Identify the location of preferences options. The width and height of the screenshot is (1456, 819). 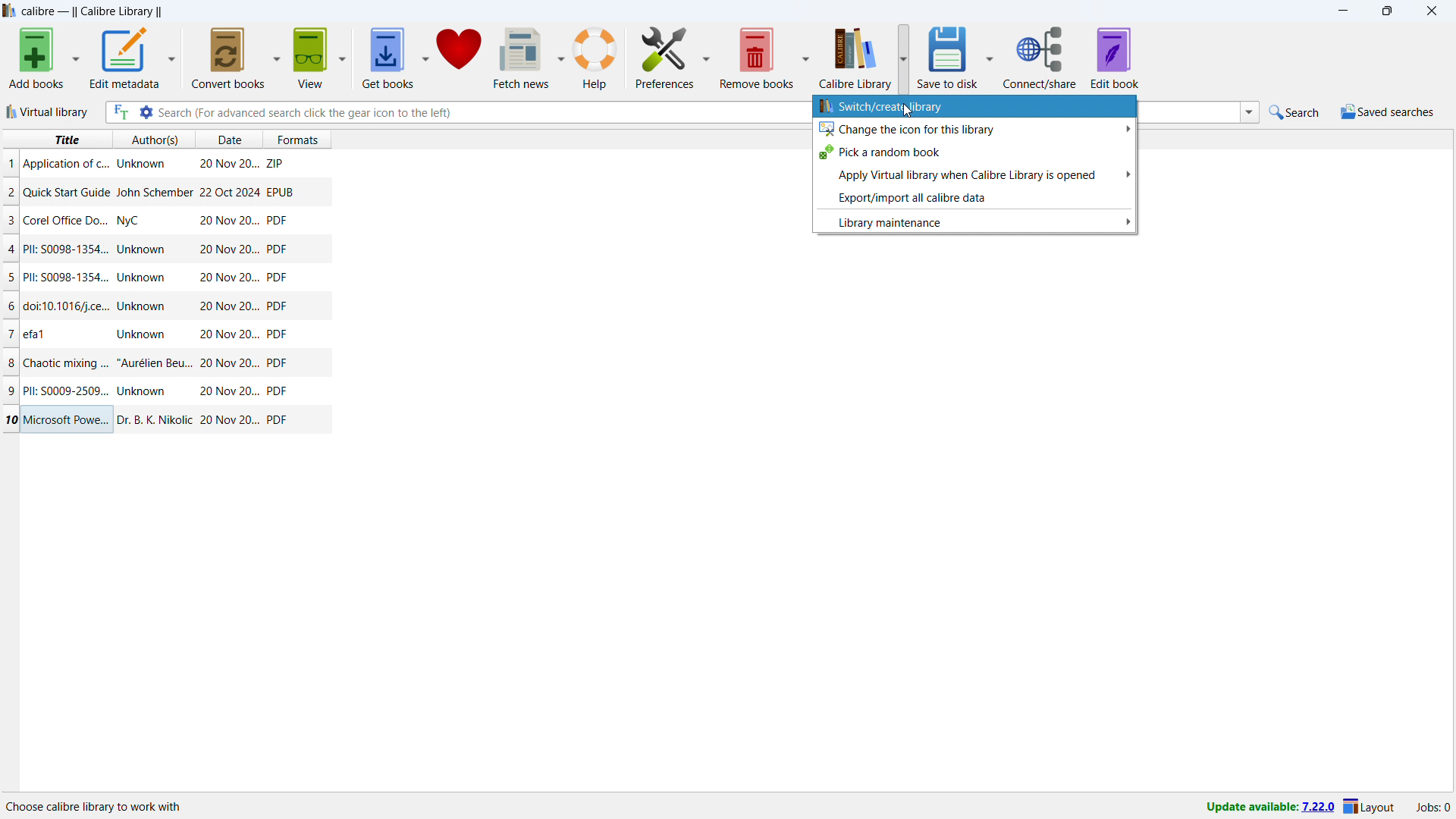
(708, 55).